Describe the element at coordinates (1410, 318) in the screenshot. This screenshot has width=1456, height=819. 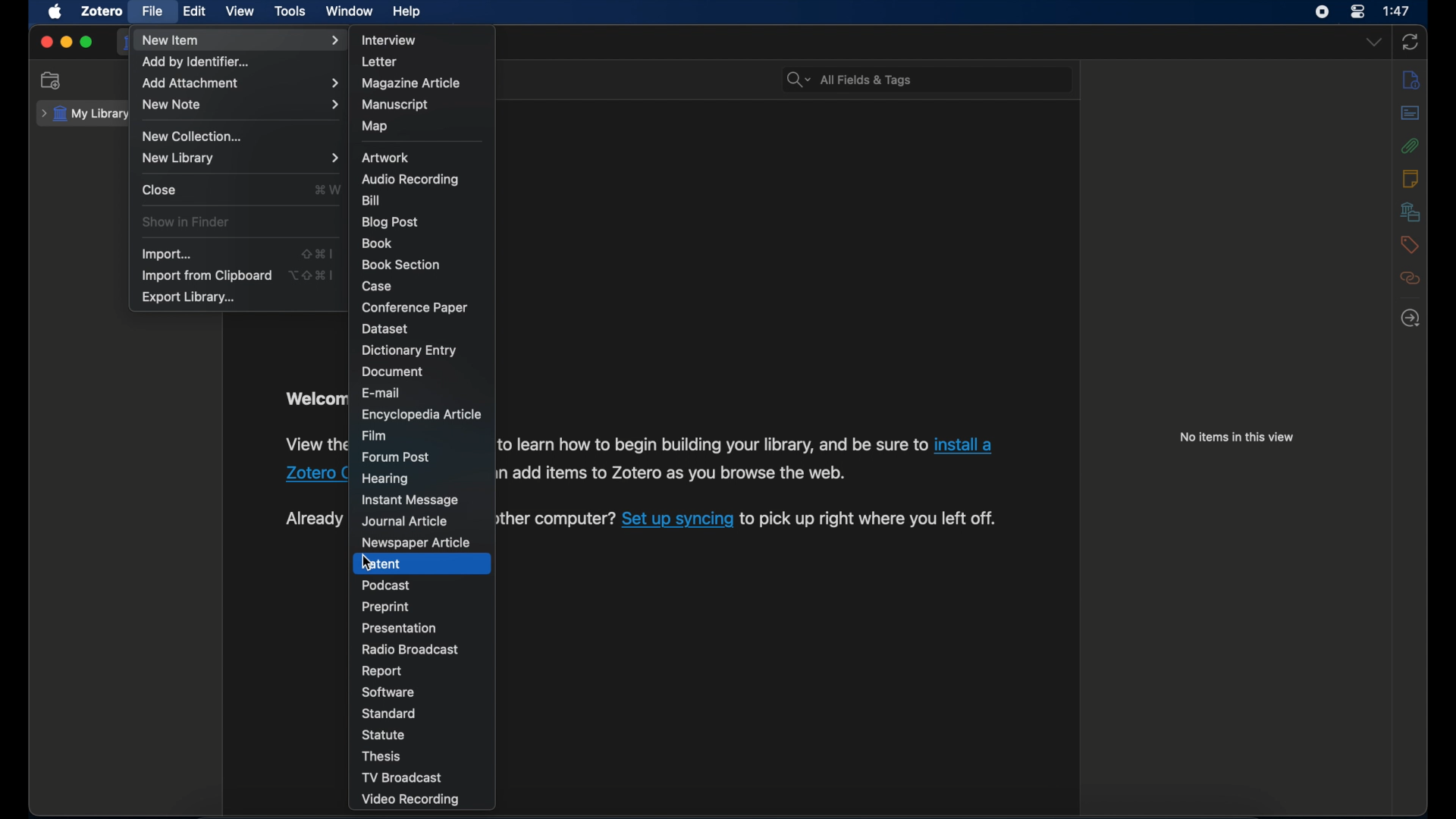
I see `locate` at that location.